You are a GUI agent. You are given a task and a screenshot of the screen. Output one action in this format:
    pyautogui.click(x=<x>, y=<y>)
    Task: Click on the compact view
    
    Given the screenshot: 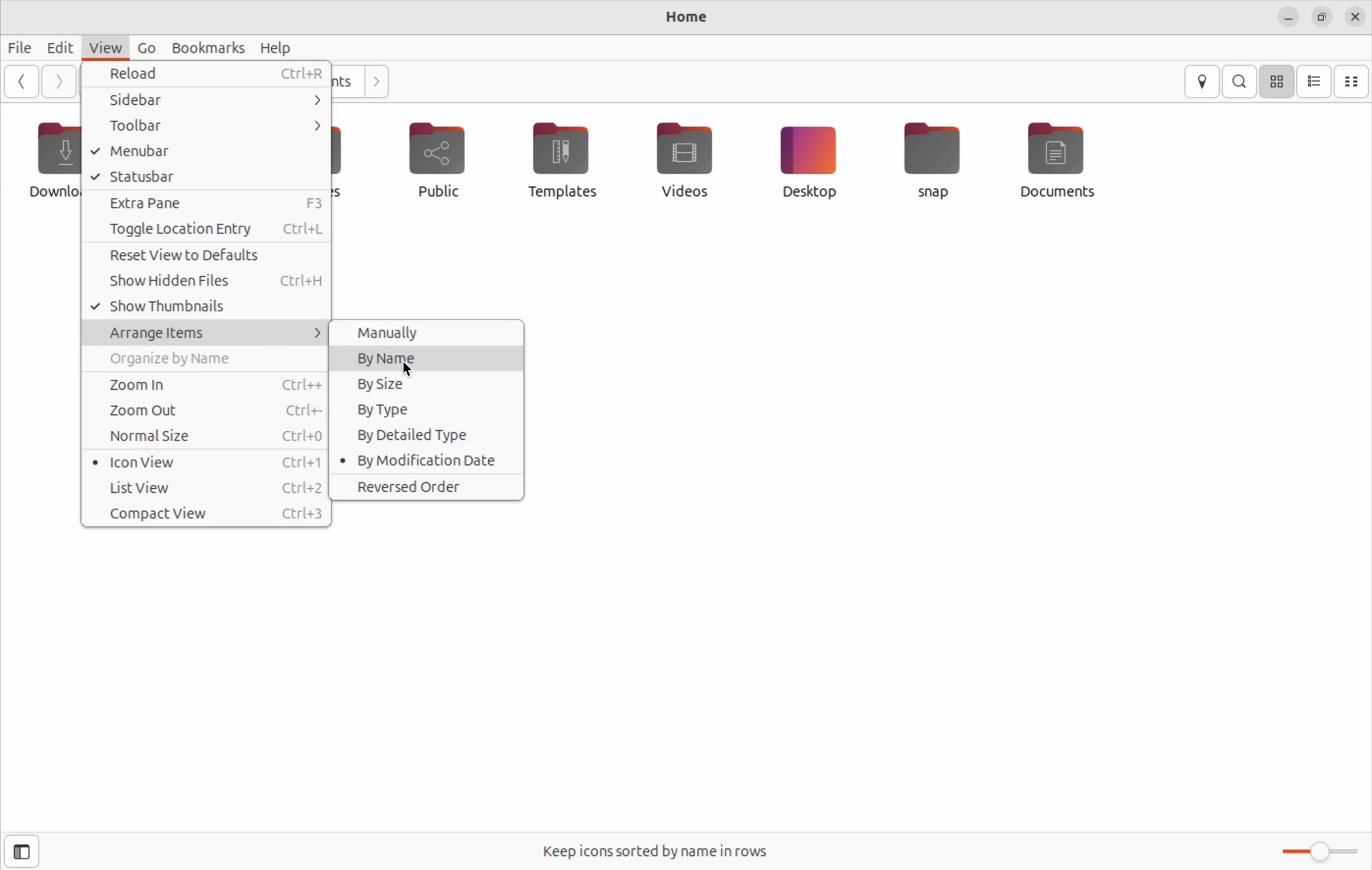 What is the action you would take?
    pyautogui.click(x=210, y=515)
    